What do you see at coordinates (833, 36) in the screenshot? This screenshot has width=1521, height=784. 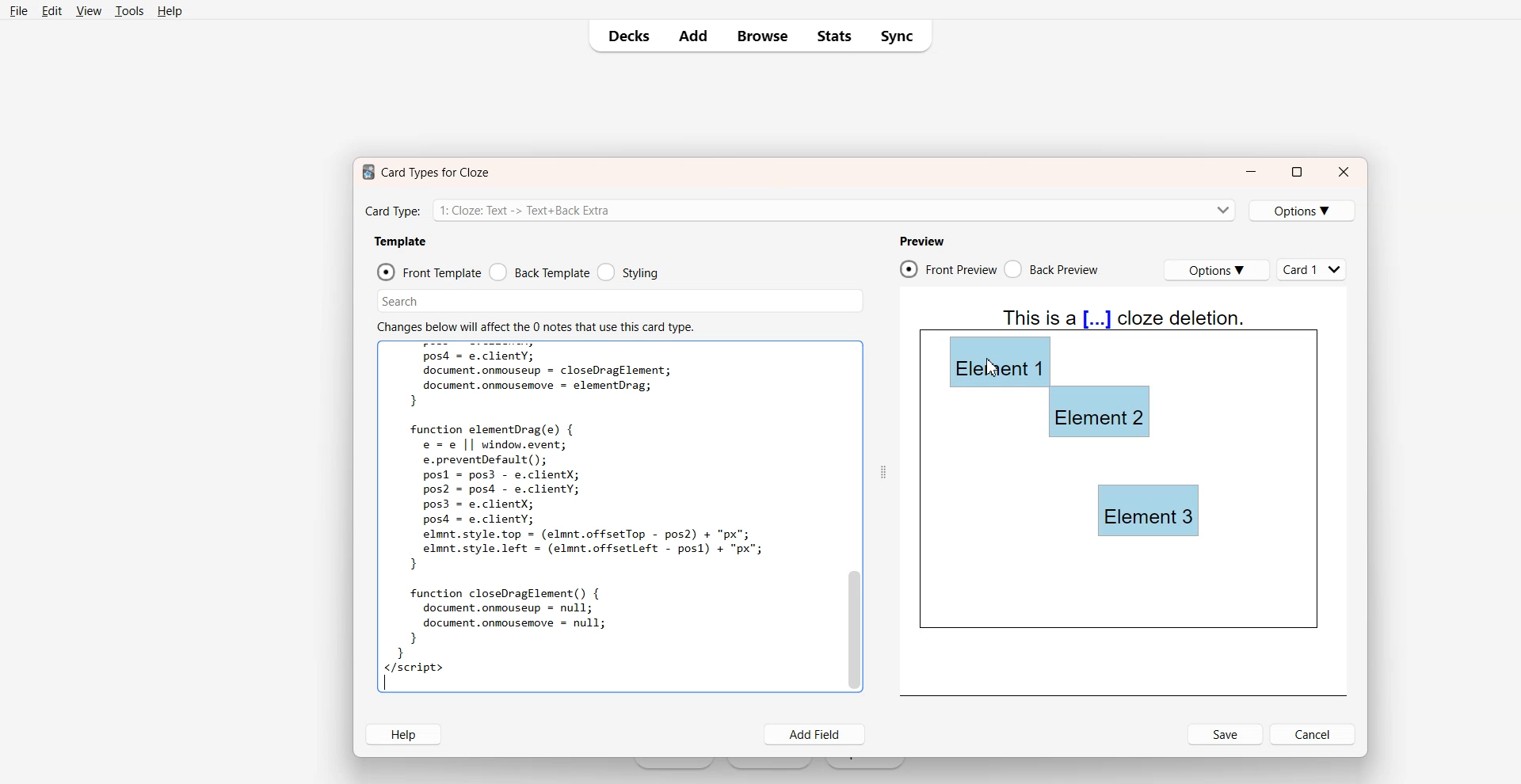 I see `Stats` at bounding box center [833, 36].